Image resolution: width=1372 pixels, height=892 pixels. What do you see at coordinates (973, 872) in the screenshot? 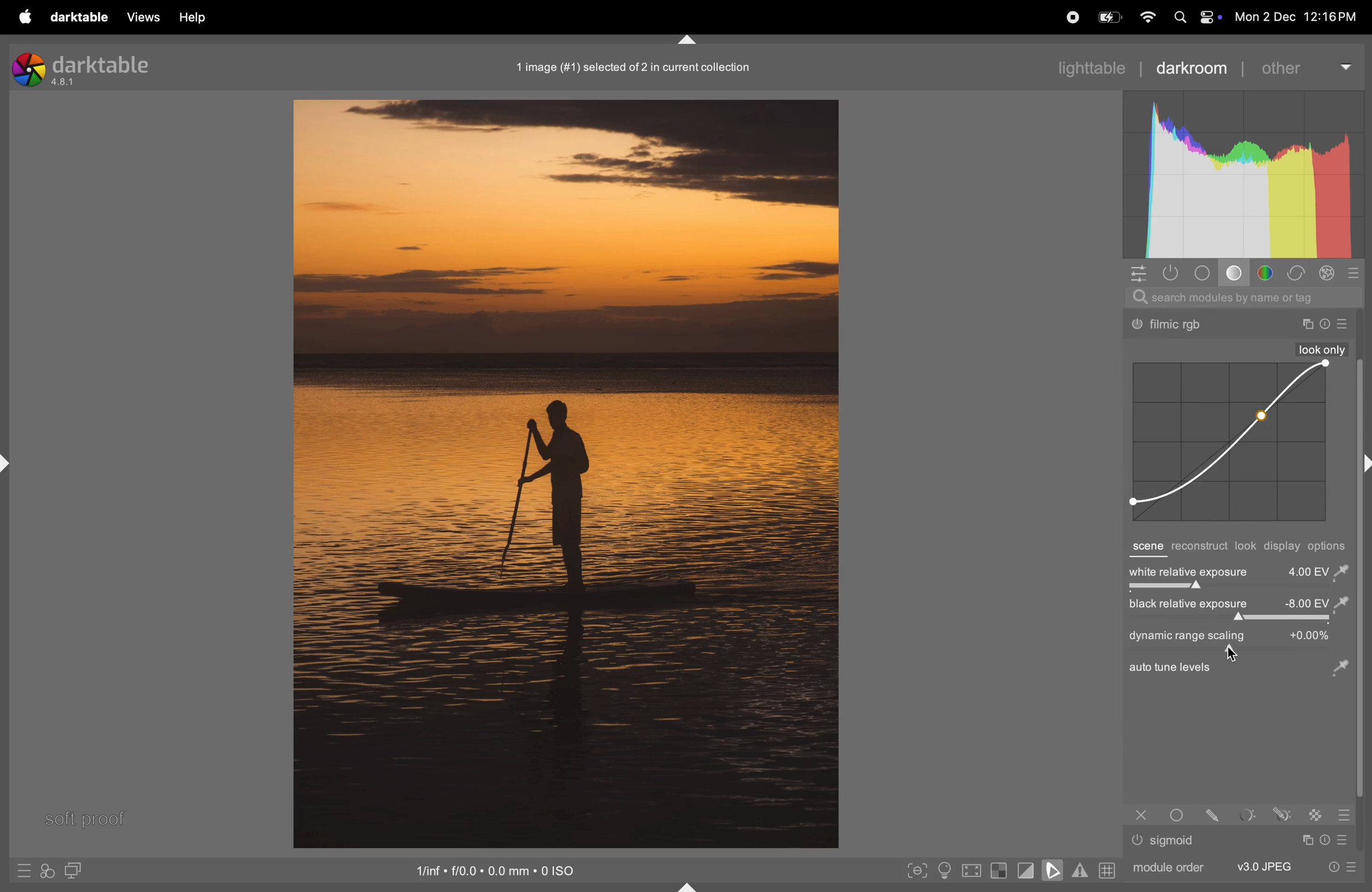
I see `toggle high quality processing` at bounding box center [973, 872].